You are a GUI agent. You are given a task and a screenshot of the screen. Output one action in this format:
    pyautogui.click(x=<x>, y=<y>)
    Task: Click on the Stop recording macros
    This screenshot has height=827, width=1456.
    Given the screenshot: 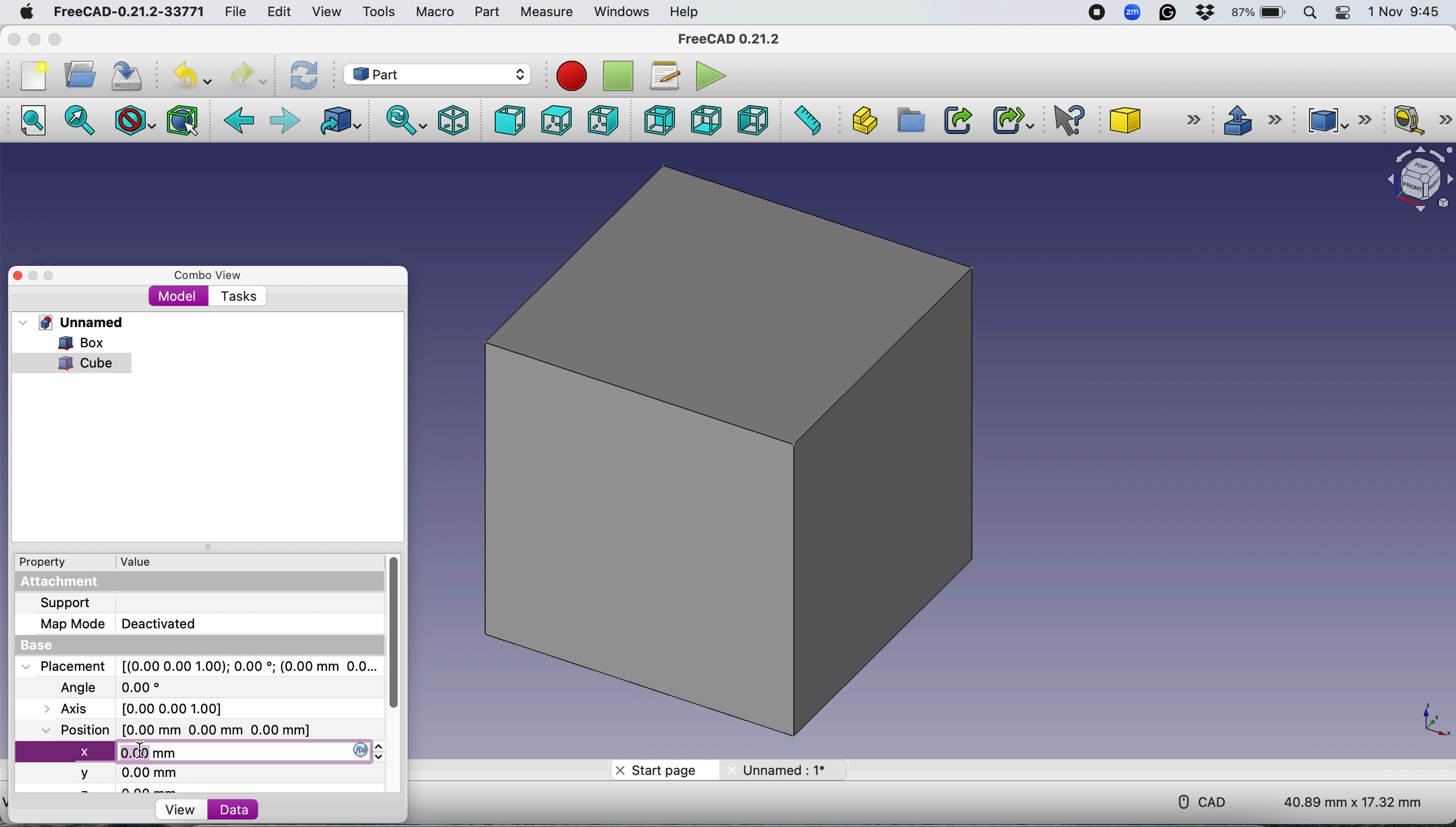 What is the action you would take?
    pyautogui.click(x=620, y=76)
    